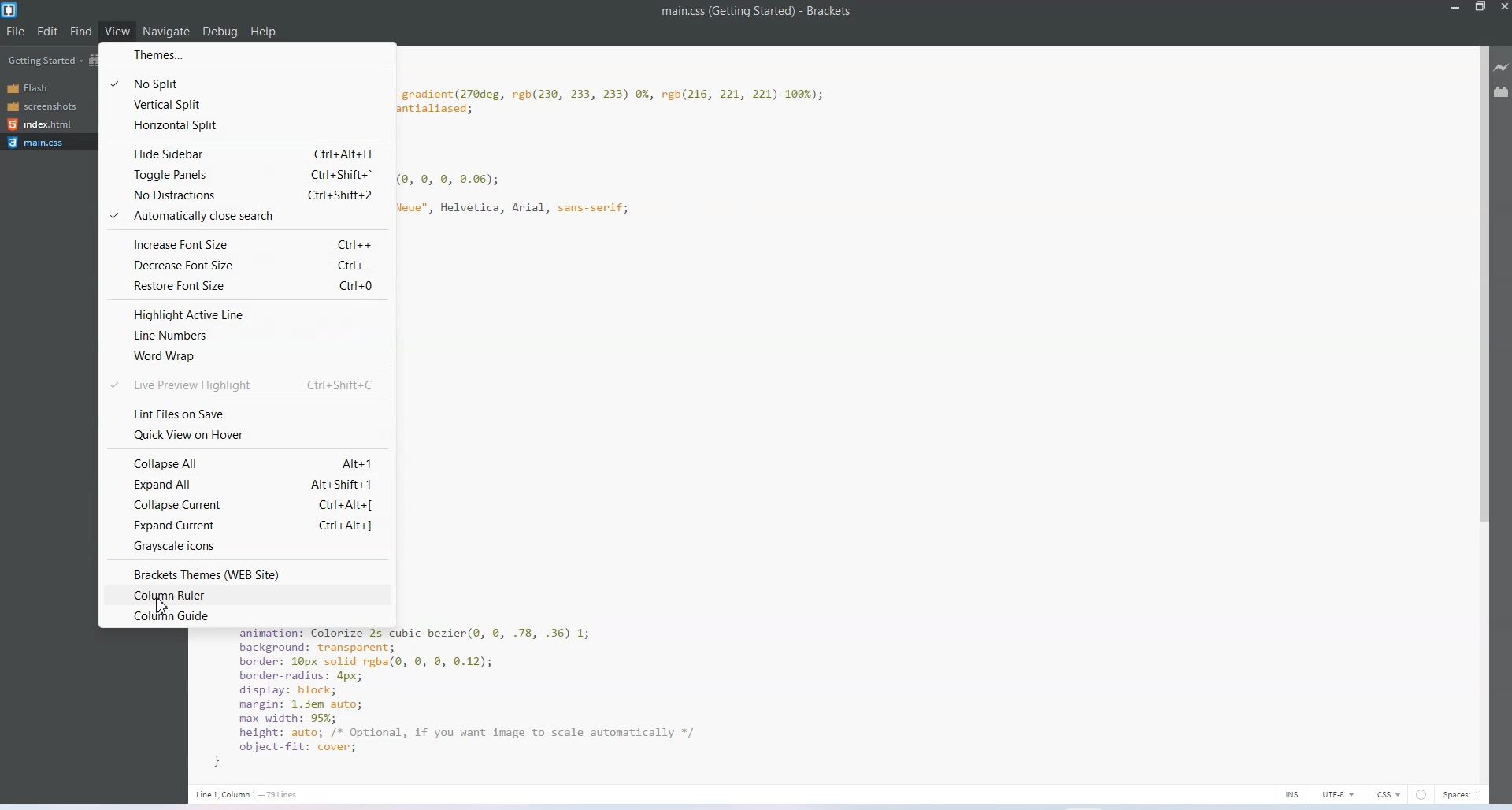 The width and height of the screenshot is (1512, 810). I want to click on Hide sidebar, so click(246, 151).